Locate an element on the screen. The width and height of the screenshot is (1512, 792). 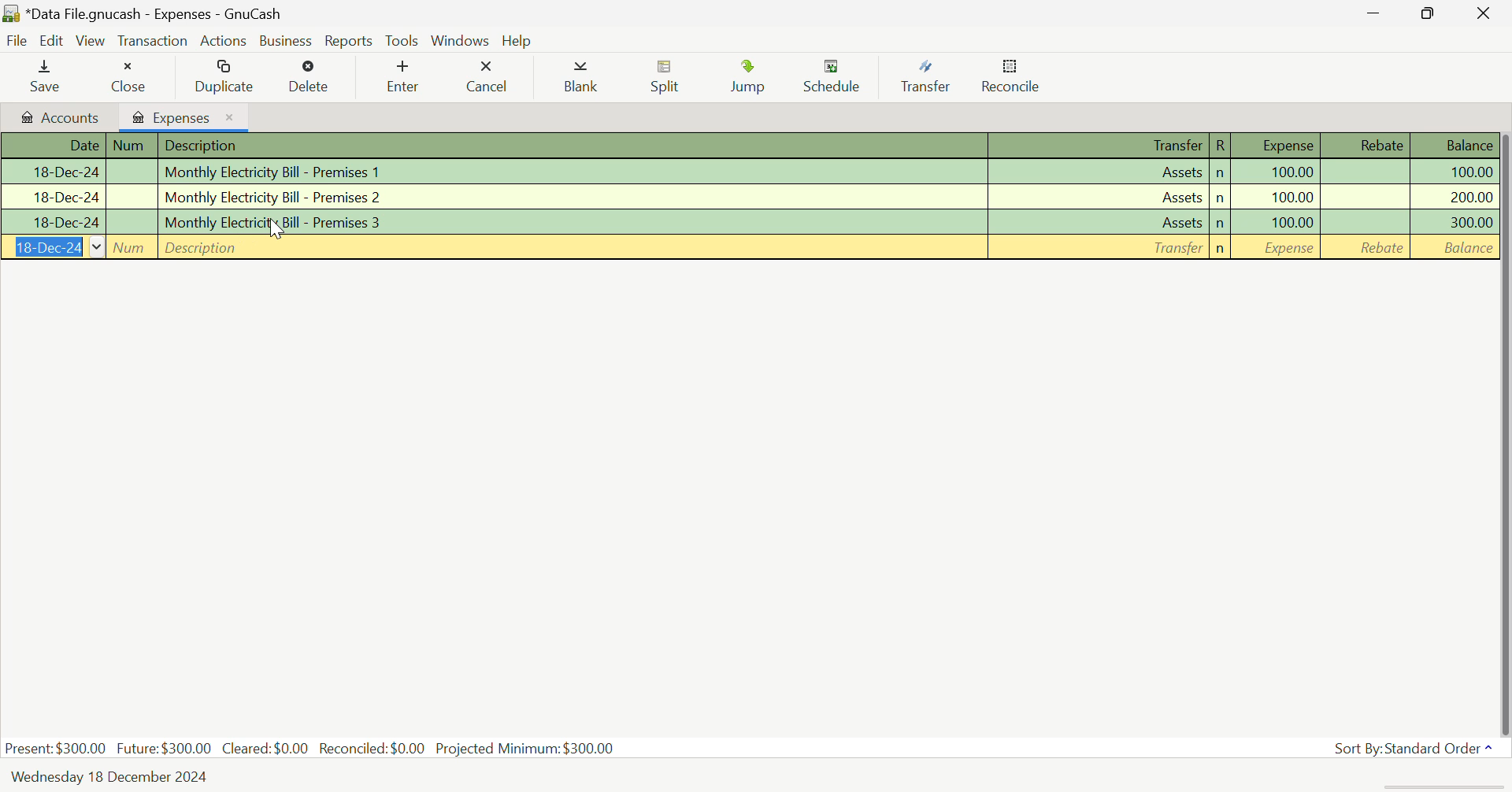
Schedule is located at coordinates (835, 78).